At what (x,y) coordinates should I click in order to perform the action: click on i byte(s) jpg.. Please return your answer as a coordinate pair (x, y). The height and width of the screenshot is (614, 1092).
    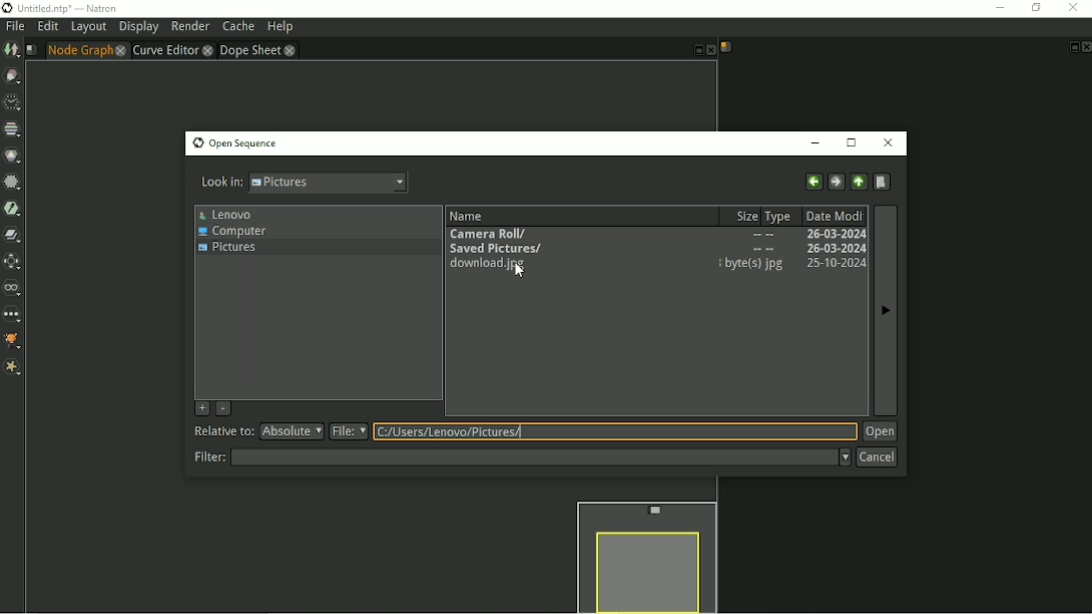
    Looking at the image, I should click on (751, 264).